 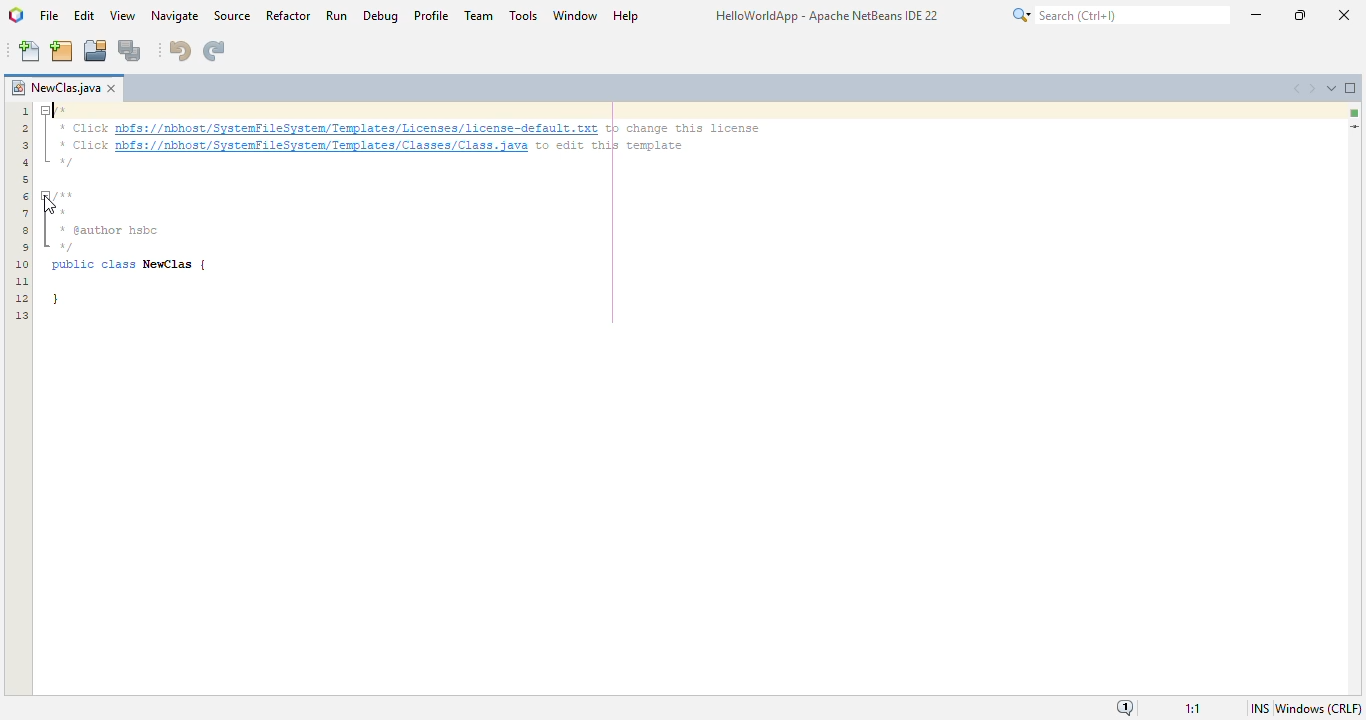 What do you see at coordinates (95, 49) in the screenshot?
I see `open project` at bounding box center [95, 49].